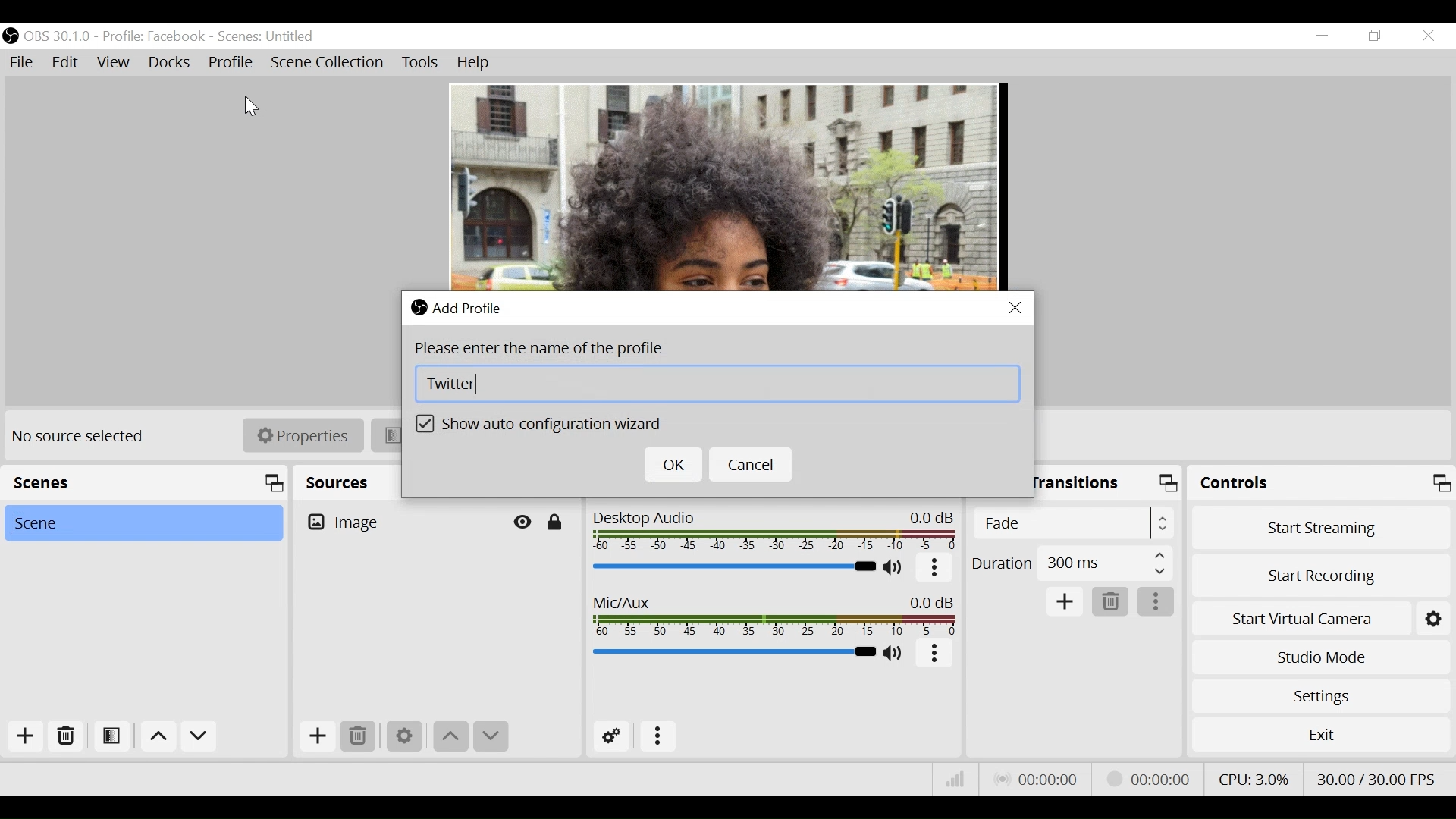 This screenshot has width=1456, height=819. Describe the element at coordinates (723, 188) in the screenshot. I see `Image` at that location.